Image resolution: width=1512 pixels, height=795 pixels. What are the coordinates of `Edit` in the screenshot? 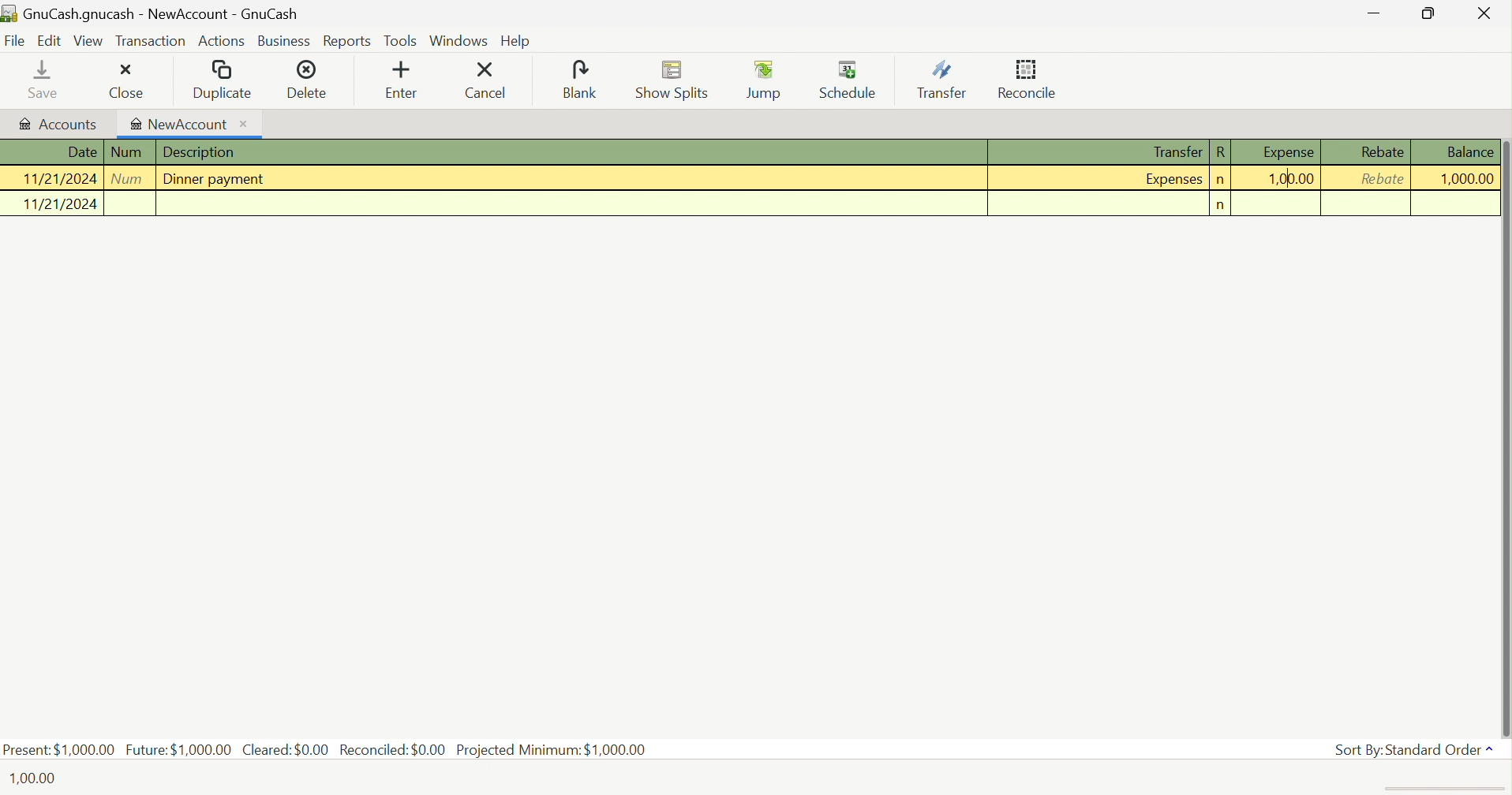 It's located at (48, 40).